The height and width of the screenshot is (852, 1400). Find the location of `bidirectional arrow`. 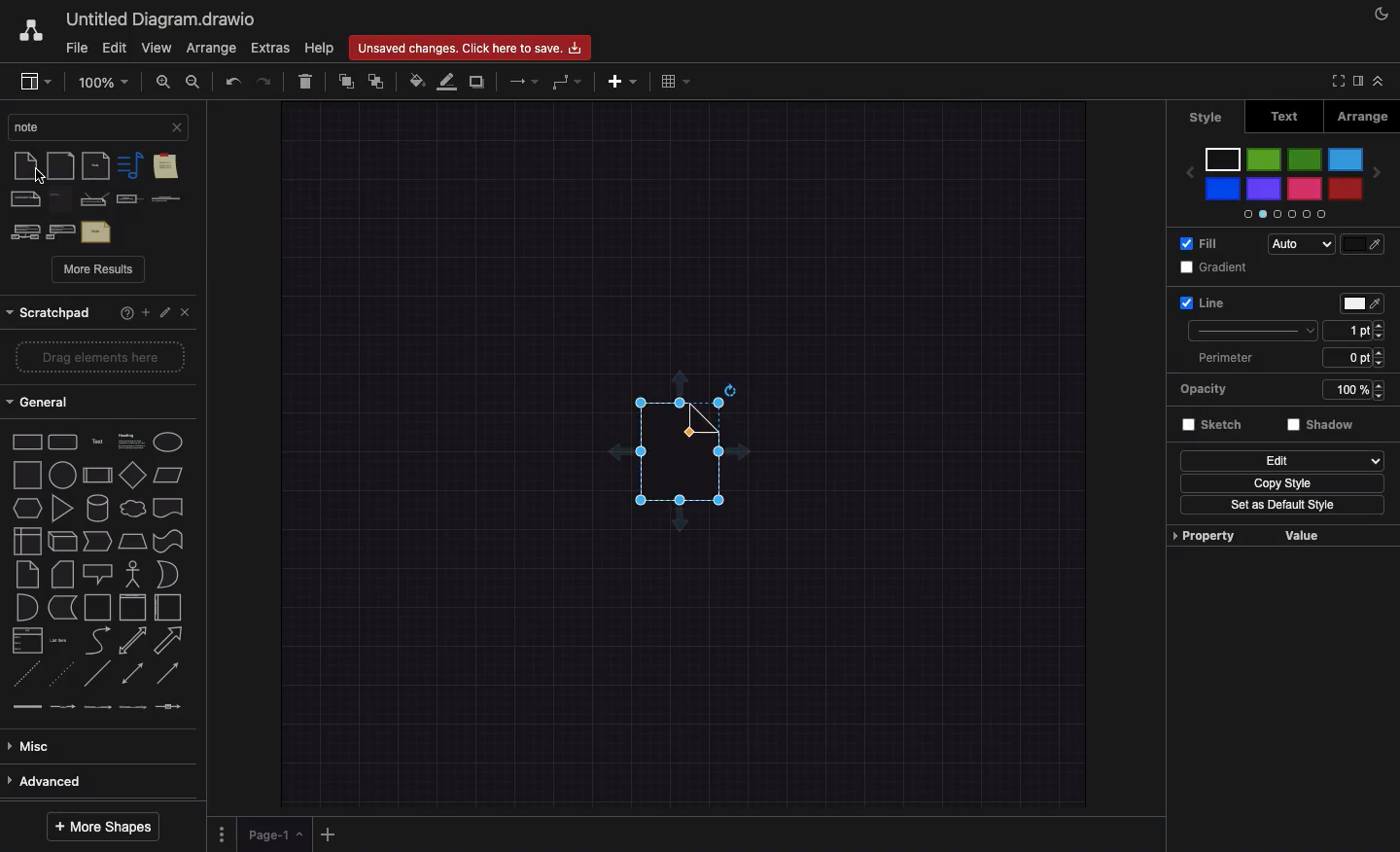

bidirectional arrow is located at coordinates (132, 640).